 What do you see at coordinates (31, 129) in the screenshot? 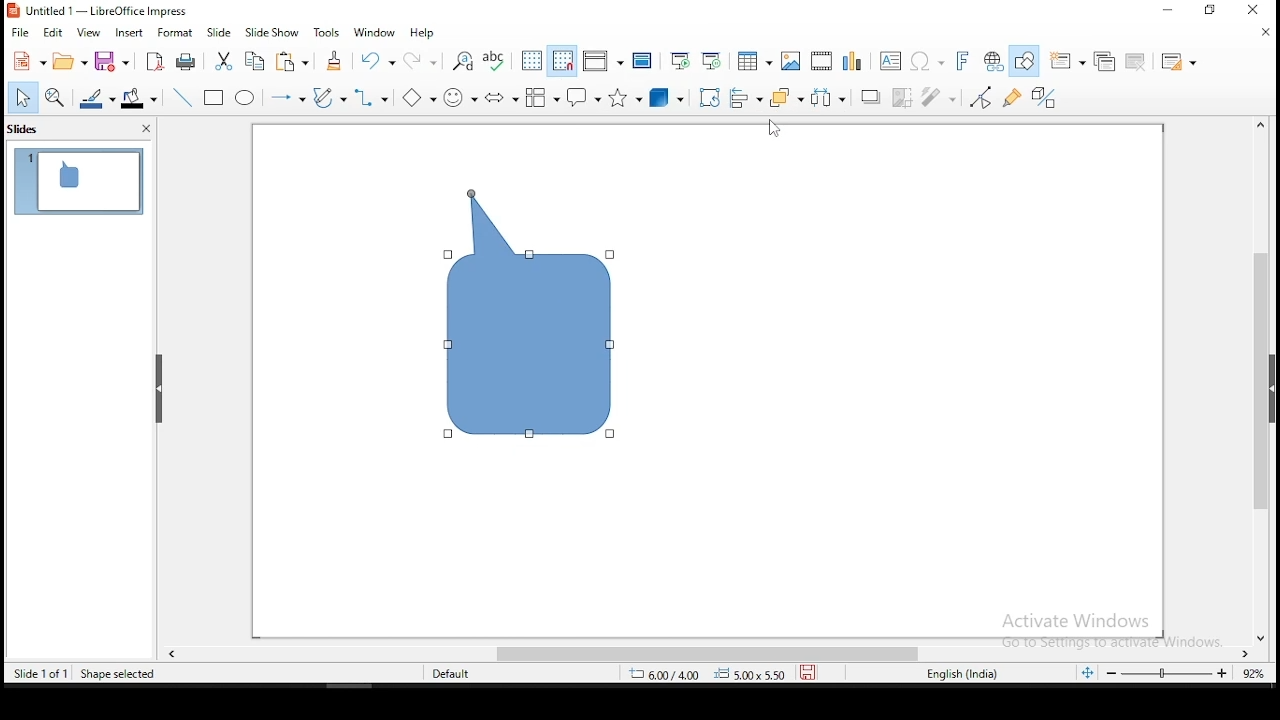
I see `slides` at bounding box center [31, 129].